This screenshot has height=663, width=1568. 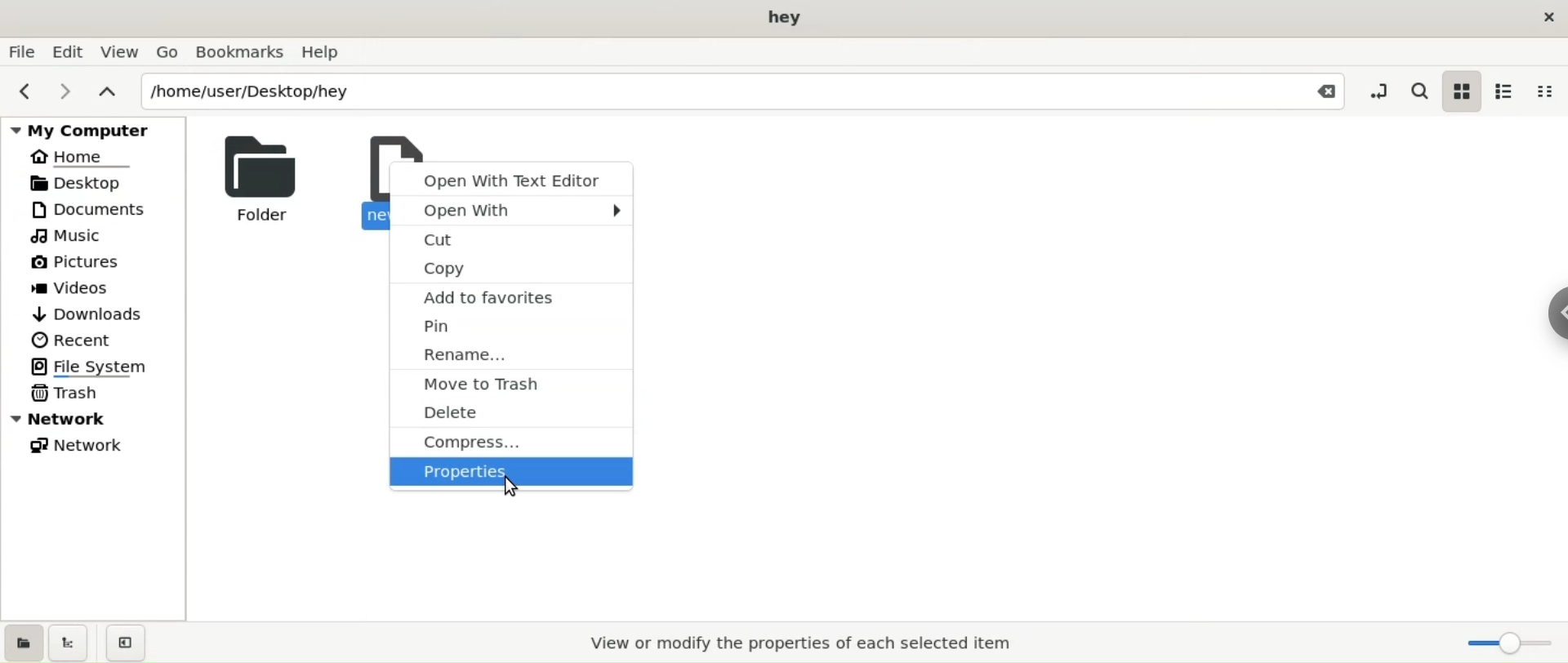 I want to click on parent folders, so click(x=106, y=90).